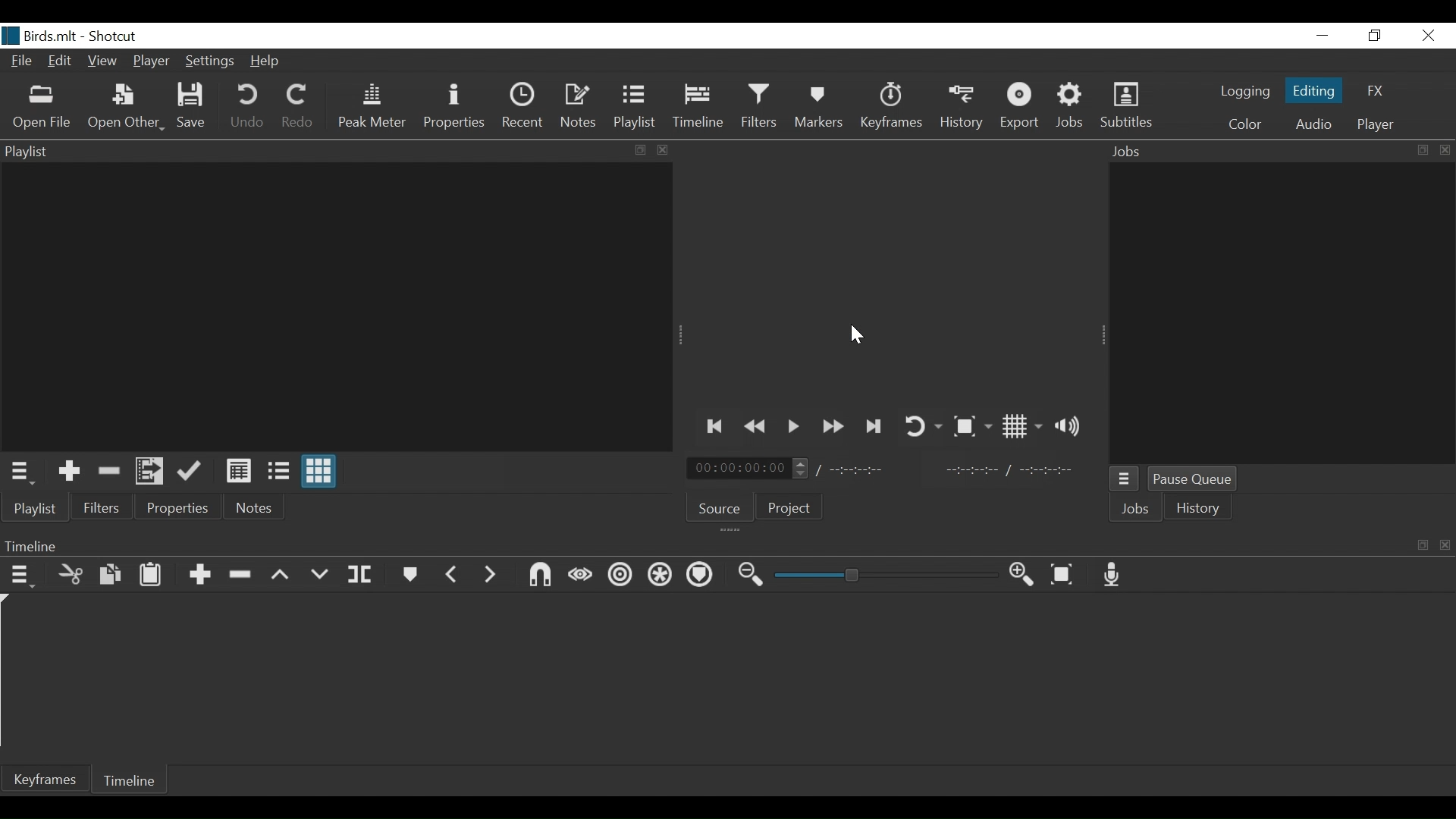 This screenshot has width=1456, height=819. What do you see at coordinates (319, 575) in the screenshot?
I see `Overwrite` at bounding box center [319, 575].